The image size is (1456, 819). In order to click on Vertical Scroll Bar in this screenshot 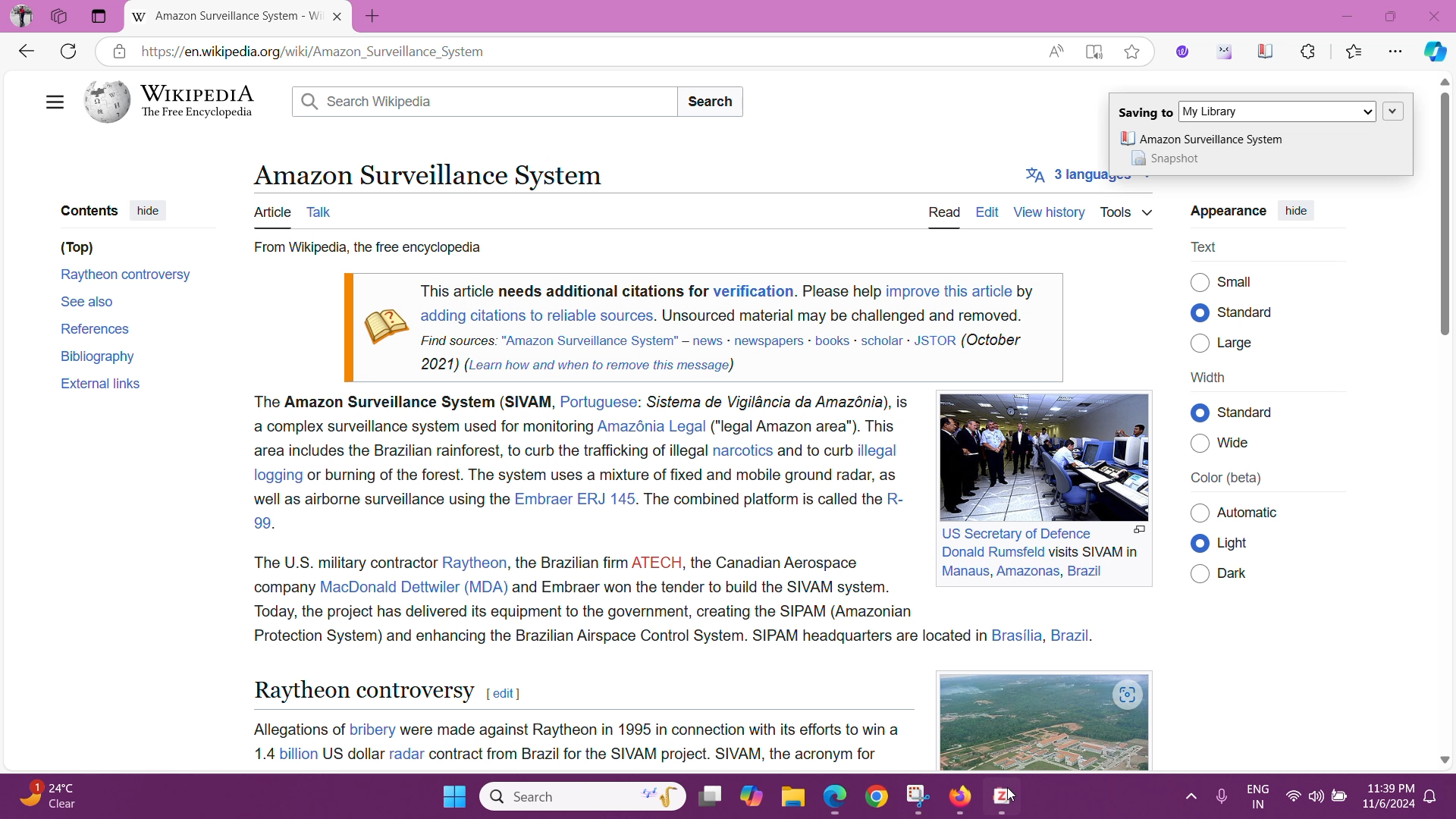, I will do `click(1443, 421)`.